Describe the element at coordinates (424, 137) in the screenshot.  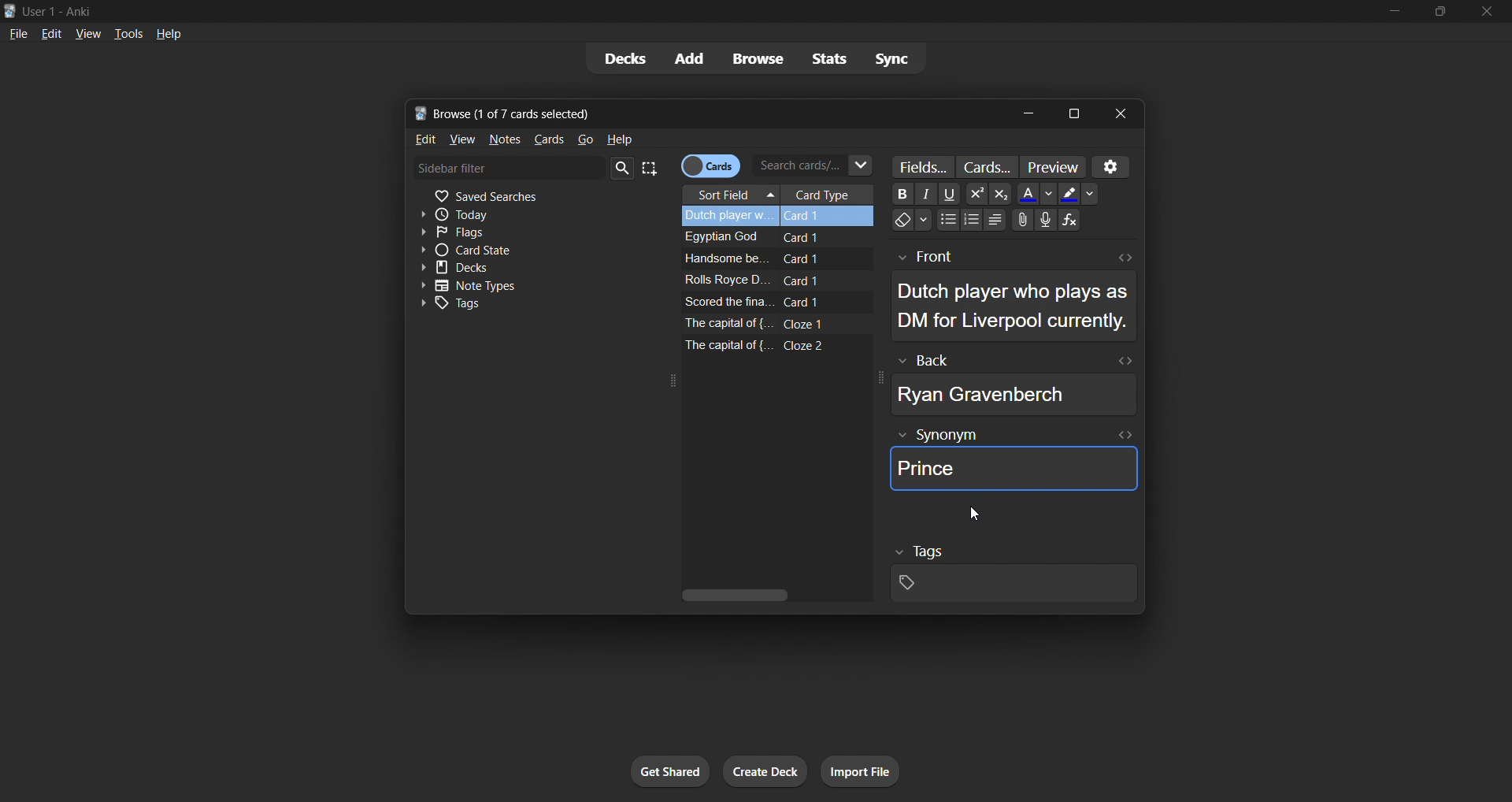
I see `edit` at that location.